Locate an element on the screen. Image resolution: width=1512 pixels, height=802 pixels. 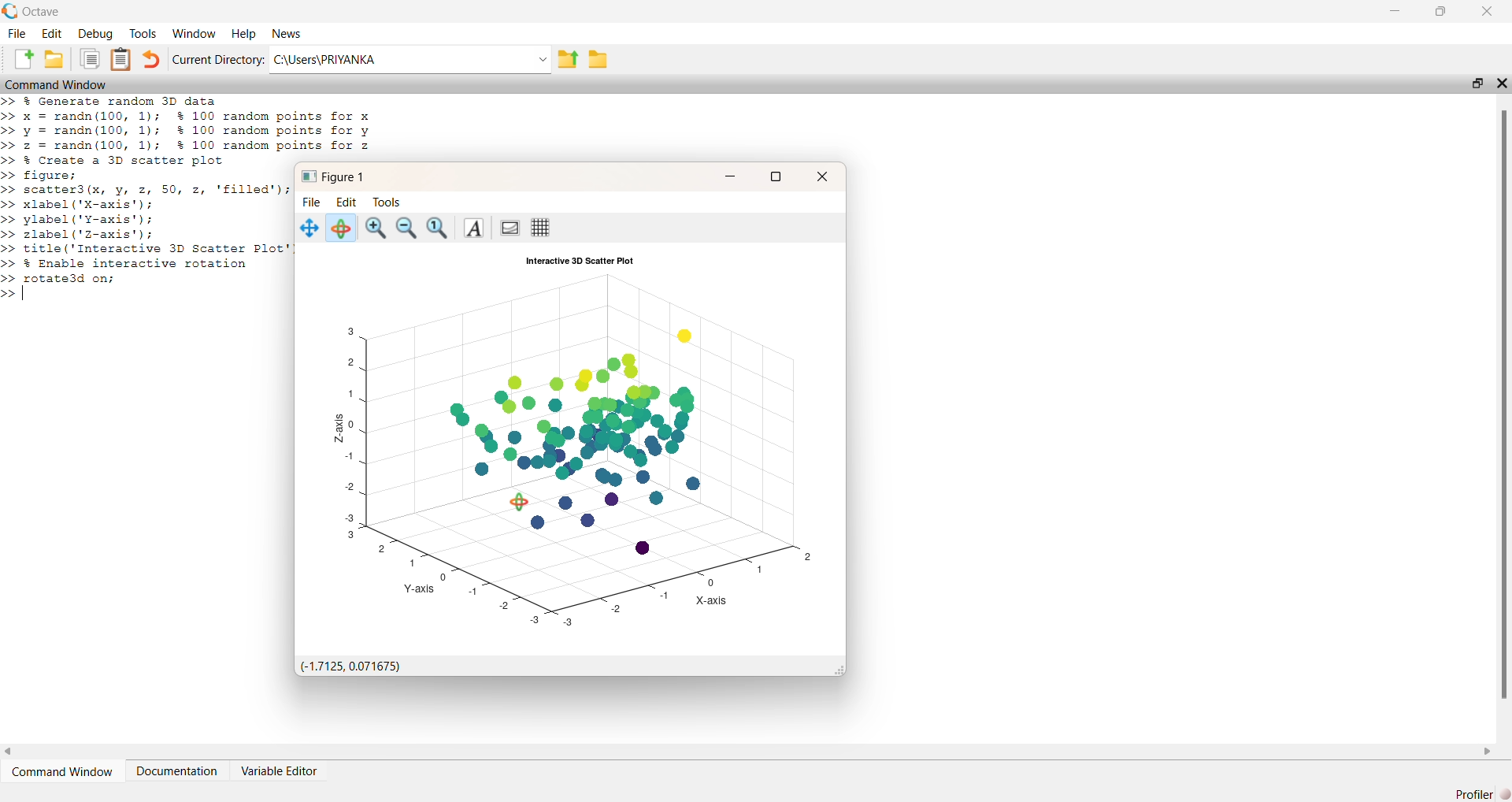
zoom in is located at coordinates (376, 229).